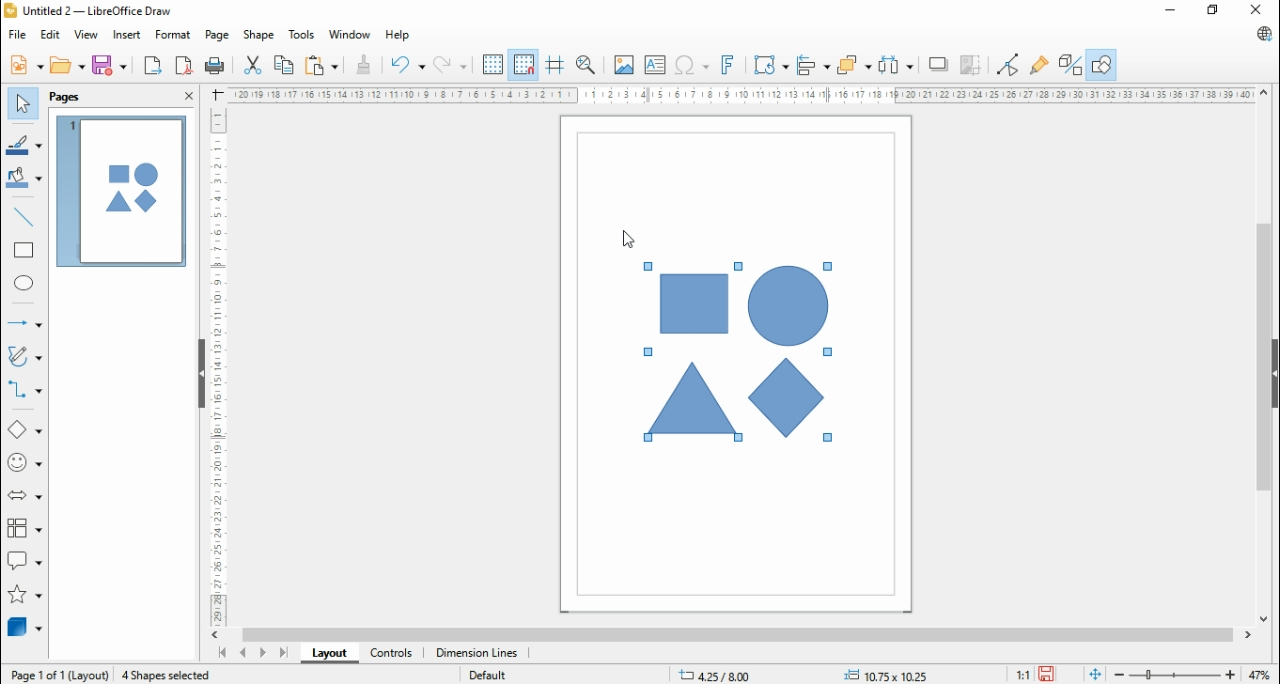 This screenshot has height=684, width=1280. What do you see at coordinates (26, 594) in the screenshot?
I see `stars and banners` at bounding box center [26, 594].